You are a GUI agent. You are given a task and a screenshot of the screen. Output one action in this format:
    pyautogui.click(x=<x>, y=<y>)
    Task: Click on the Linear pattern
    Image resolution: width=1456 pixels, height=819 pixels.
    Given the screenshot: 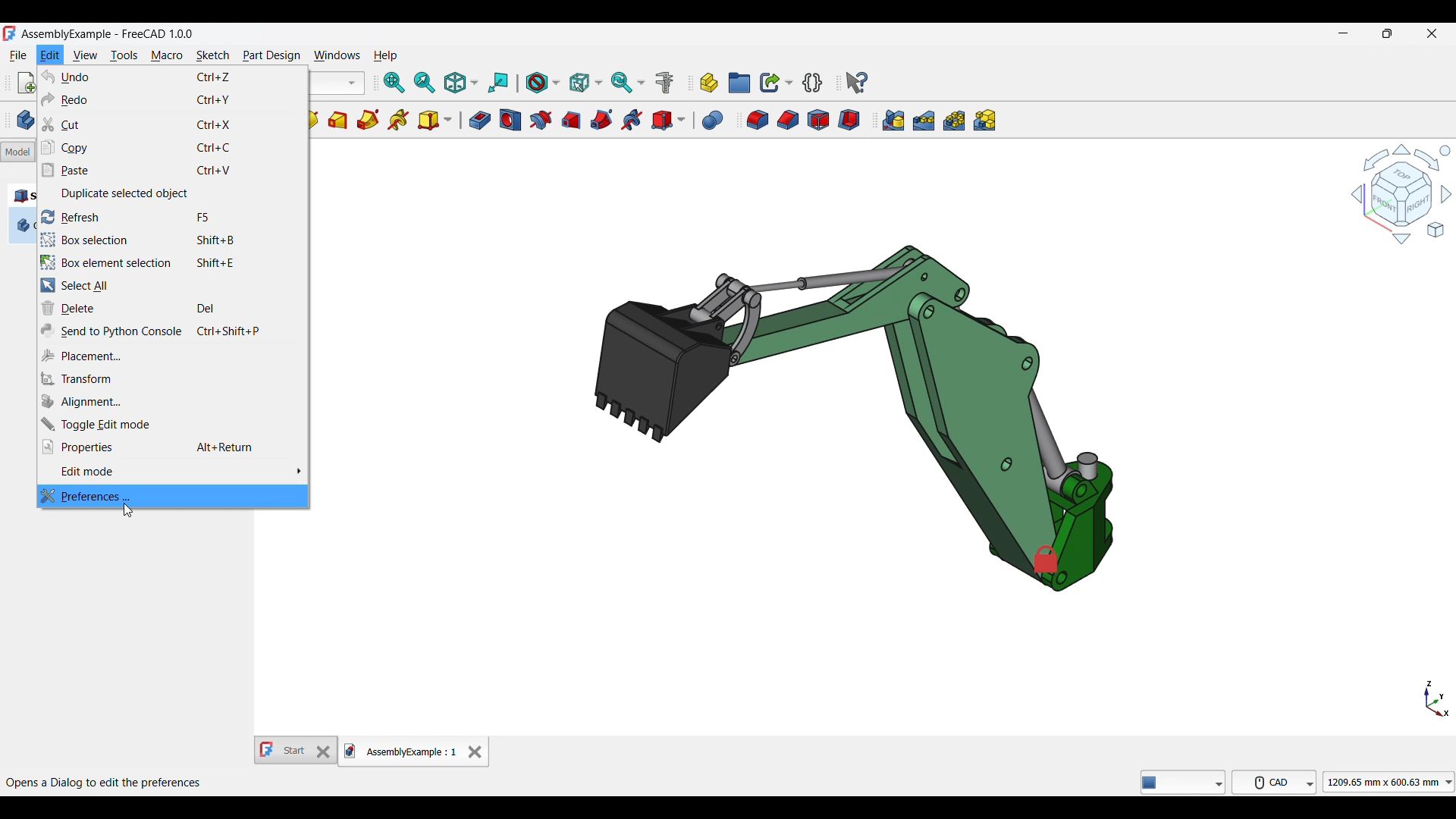 What is the action you would take?
    pyautogui.click(x=924, y=121)
    